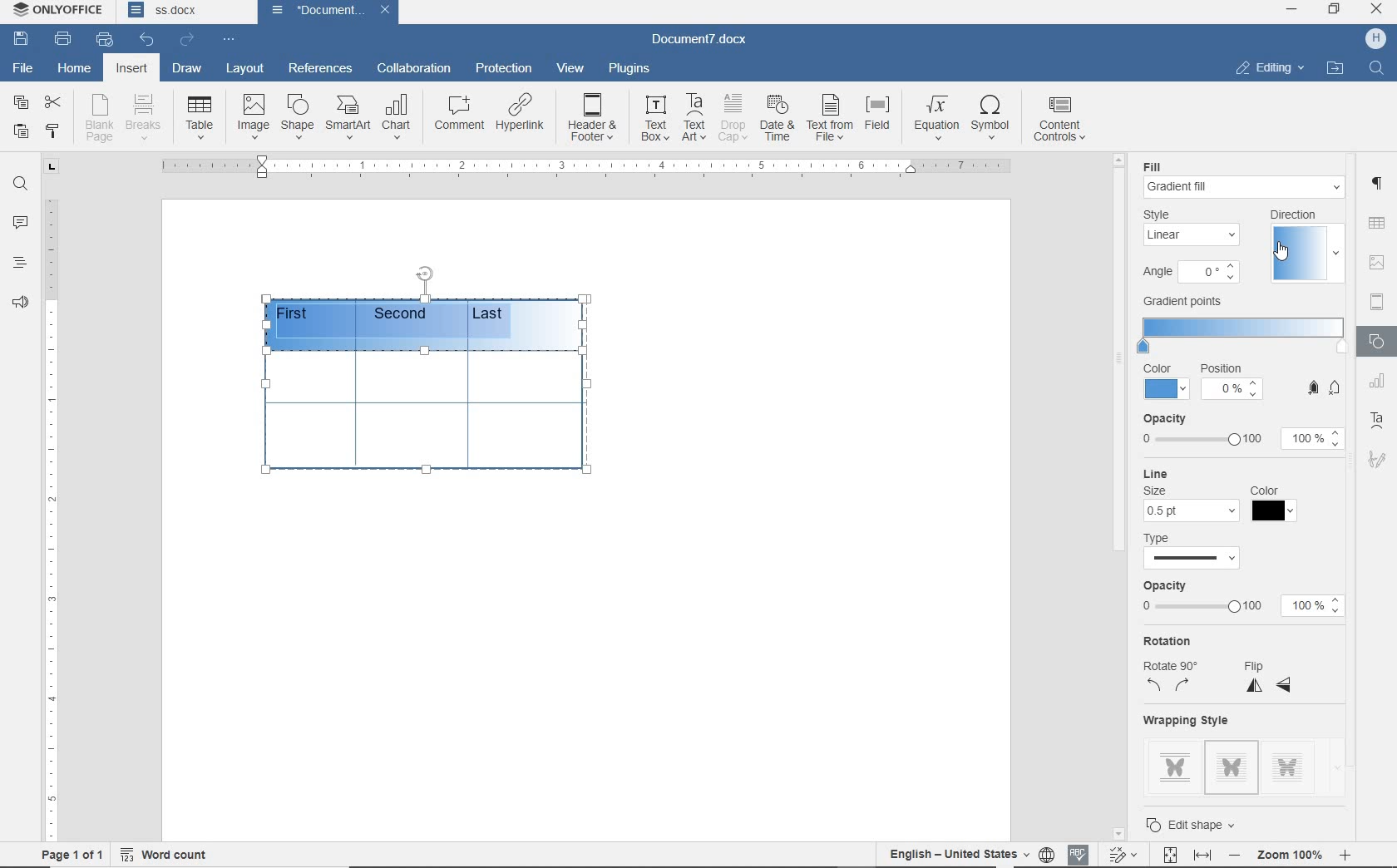 The height and width of the screenshot is (868, 1397). I want to click on EDITING, so click(1268, 67).